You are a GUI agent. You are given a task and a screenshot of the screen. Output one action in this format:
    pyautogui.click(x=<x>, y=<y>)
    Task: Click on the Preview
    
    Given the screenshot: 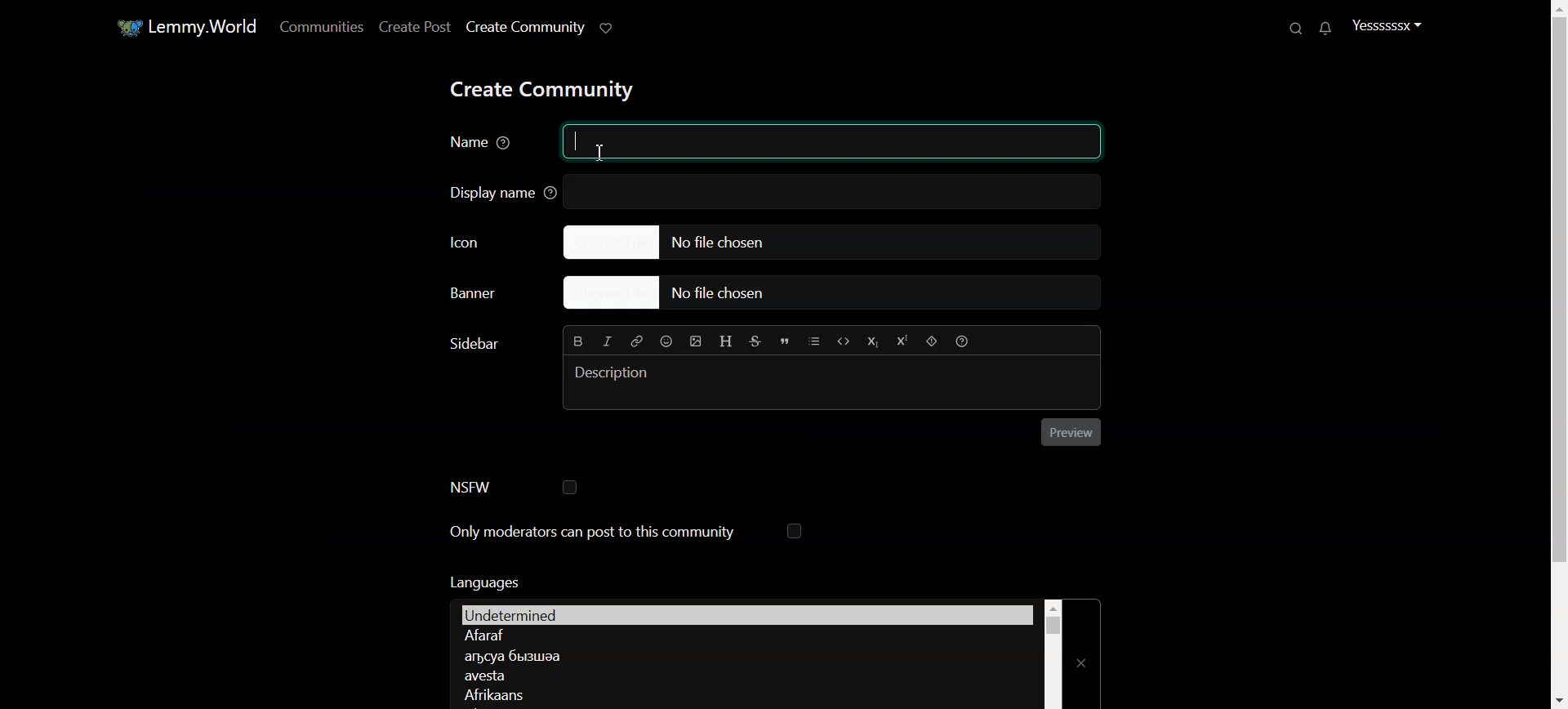 What is the action you would take?
    pyautogui.click(x=1071, y=432)
    